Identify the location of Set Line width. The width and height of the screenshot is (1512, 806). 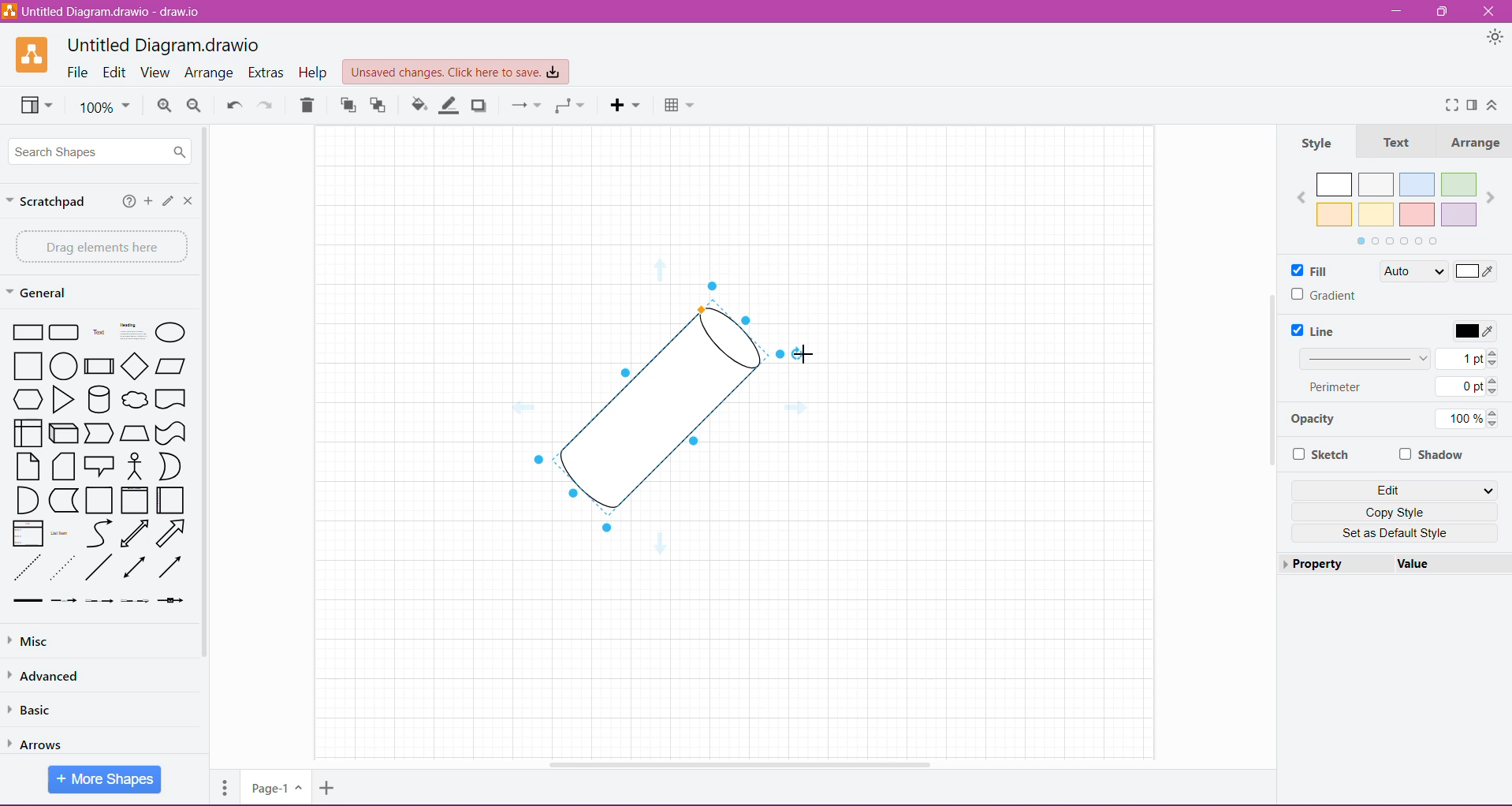
(1399, 357).